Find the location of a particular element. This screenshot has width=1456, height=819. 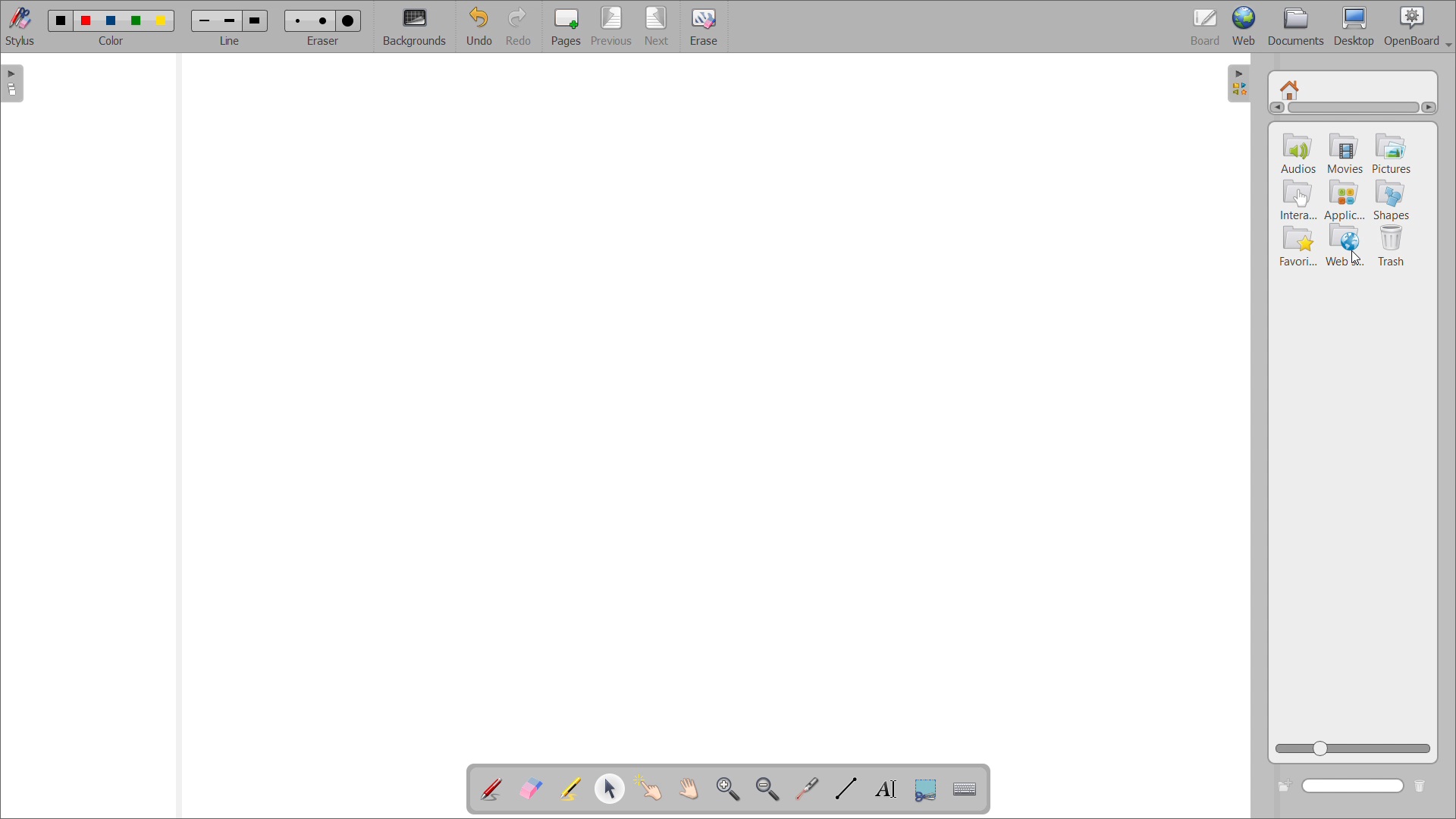

delete is located at coordinates (1426, 784).